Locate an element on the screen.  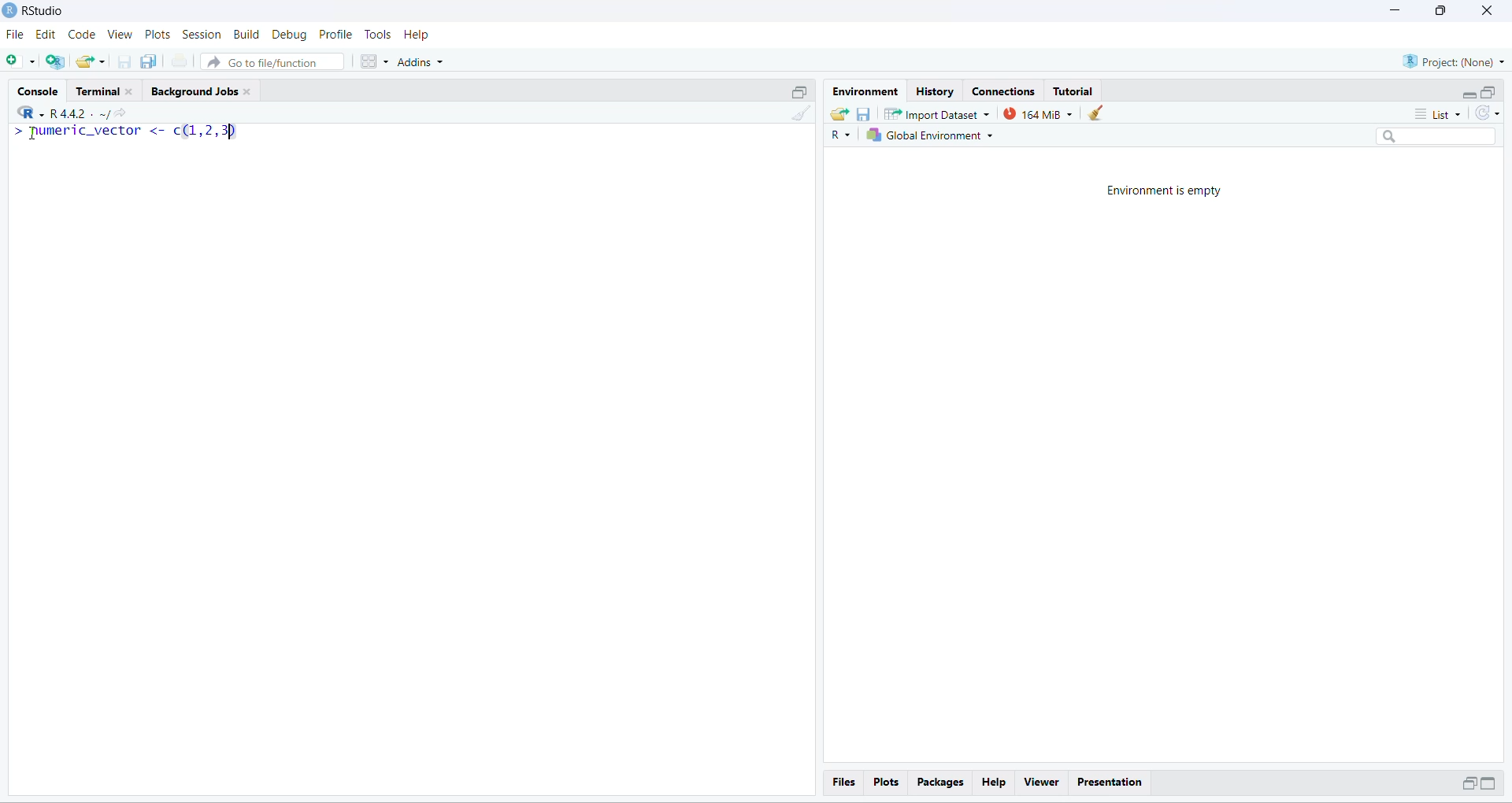
View is located at coordinates (120, 35).